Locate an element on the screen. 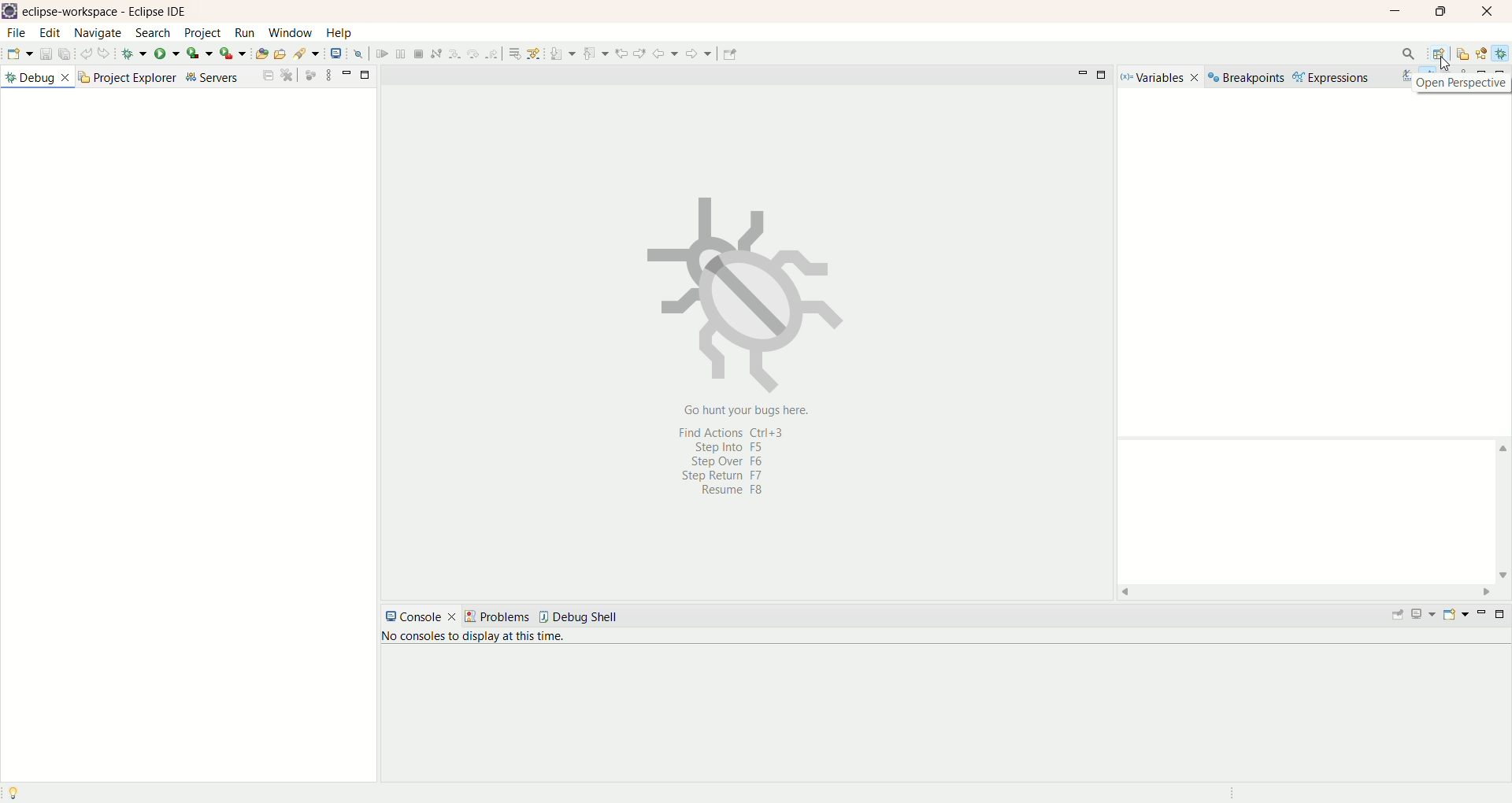 The image size is (1512, 803). run last tool is located at coordinates (231, 54).